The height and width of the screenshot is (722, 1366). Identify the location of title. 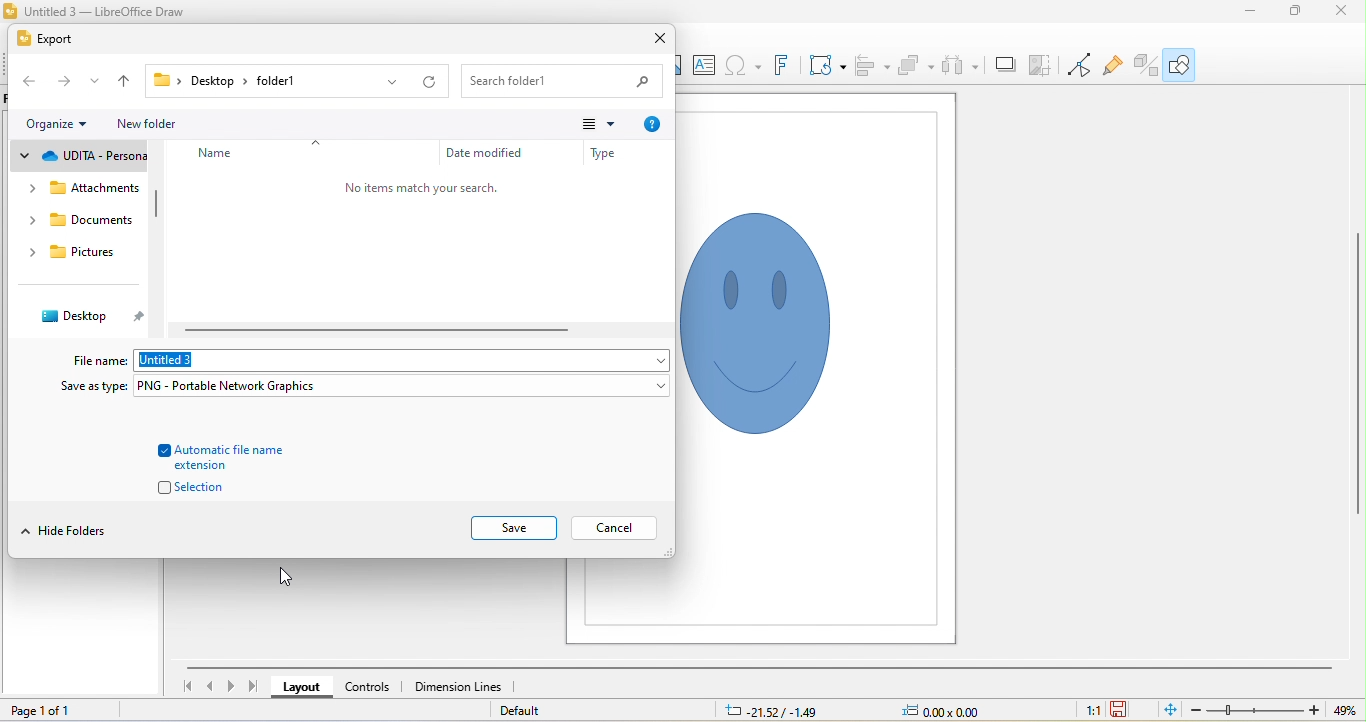
(96, 11).